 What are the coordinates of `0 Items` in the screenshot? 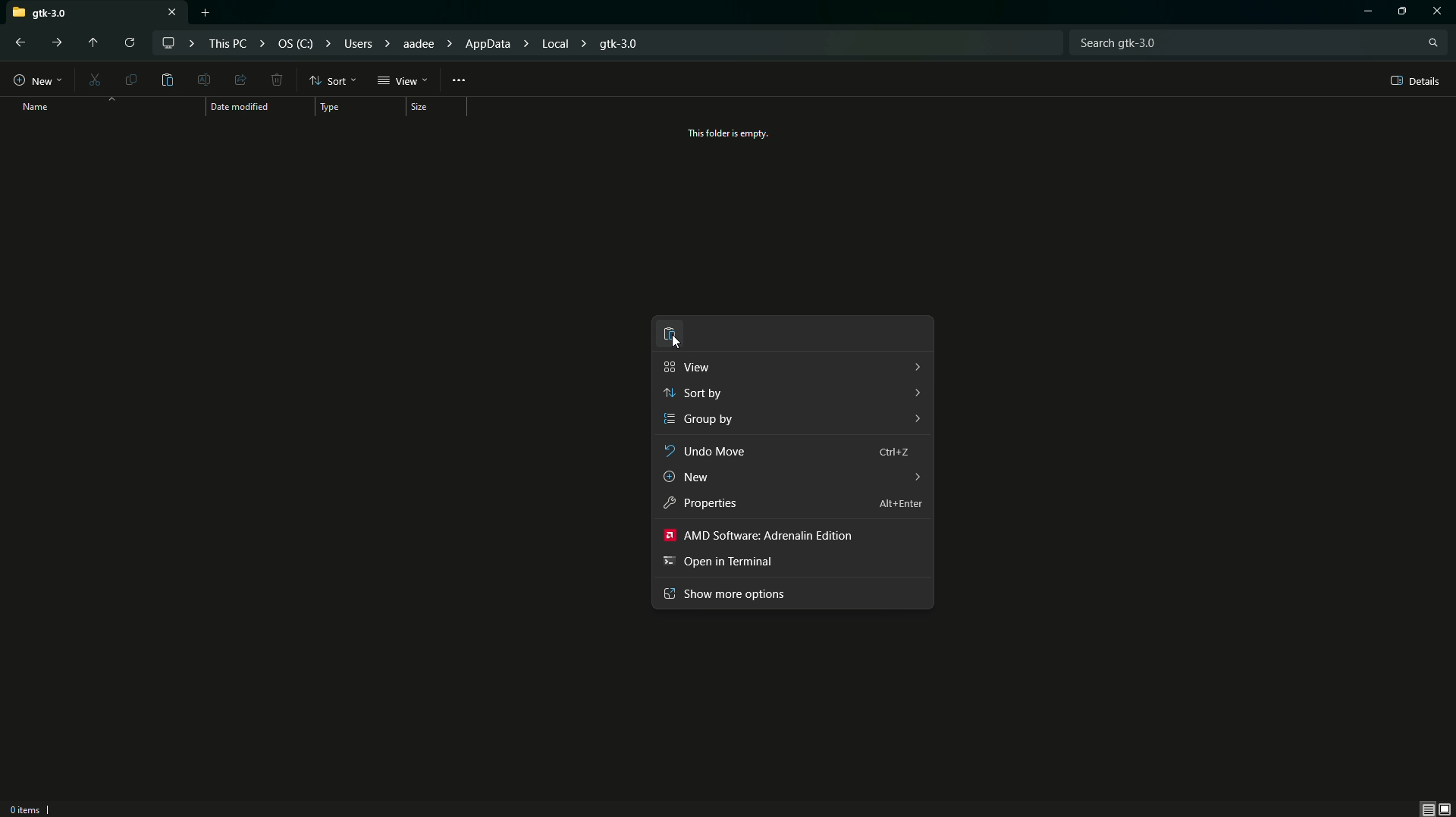 It's located at (33, 808).